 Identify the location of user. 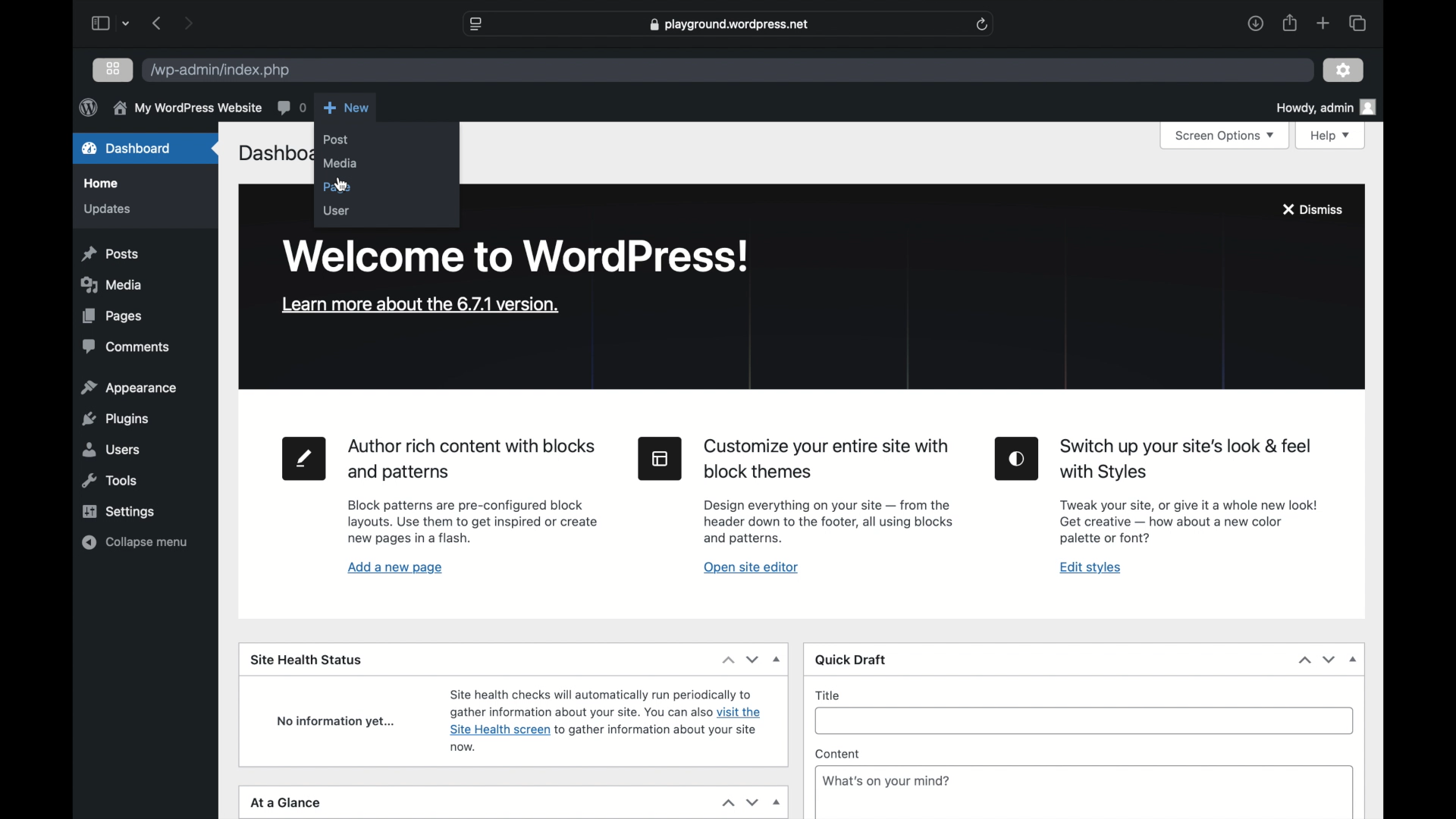
(336, 211).